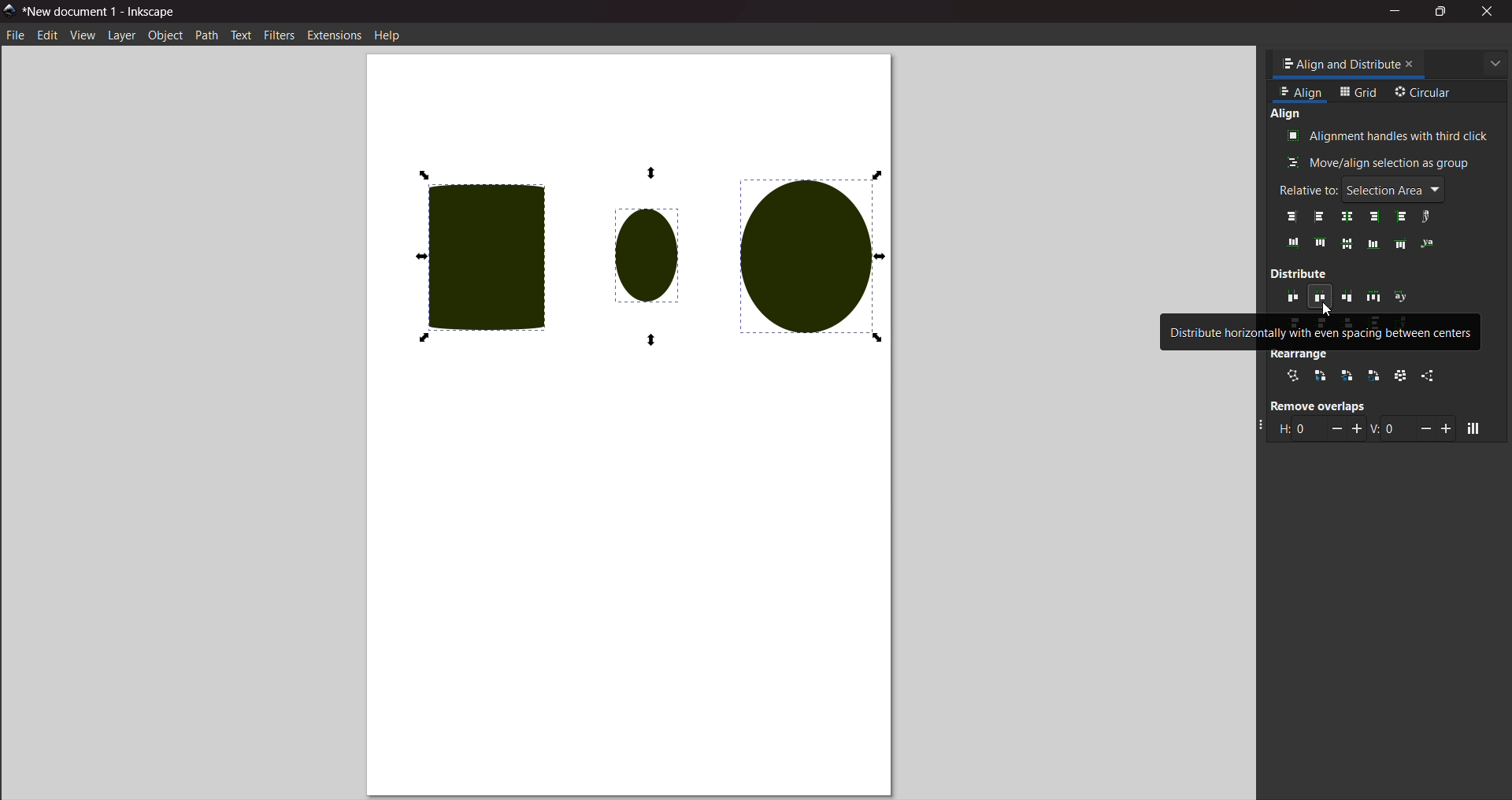 The width and height of the screenshot is (1512, 800). Describe the element at coordinates (1347, 244) in the screenshot. I see `align middle` at that location.